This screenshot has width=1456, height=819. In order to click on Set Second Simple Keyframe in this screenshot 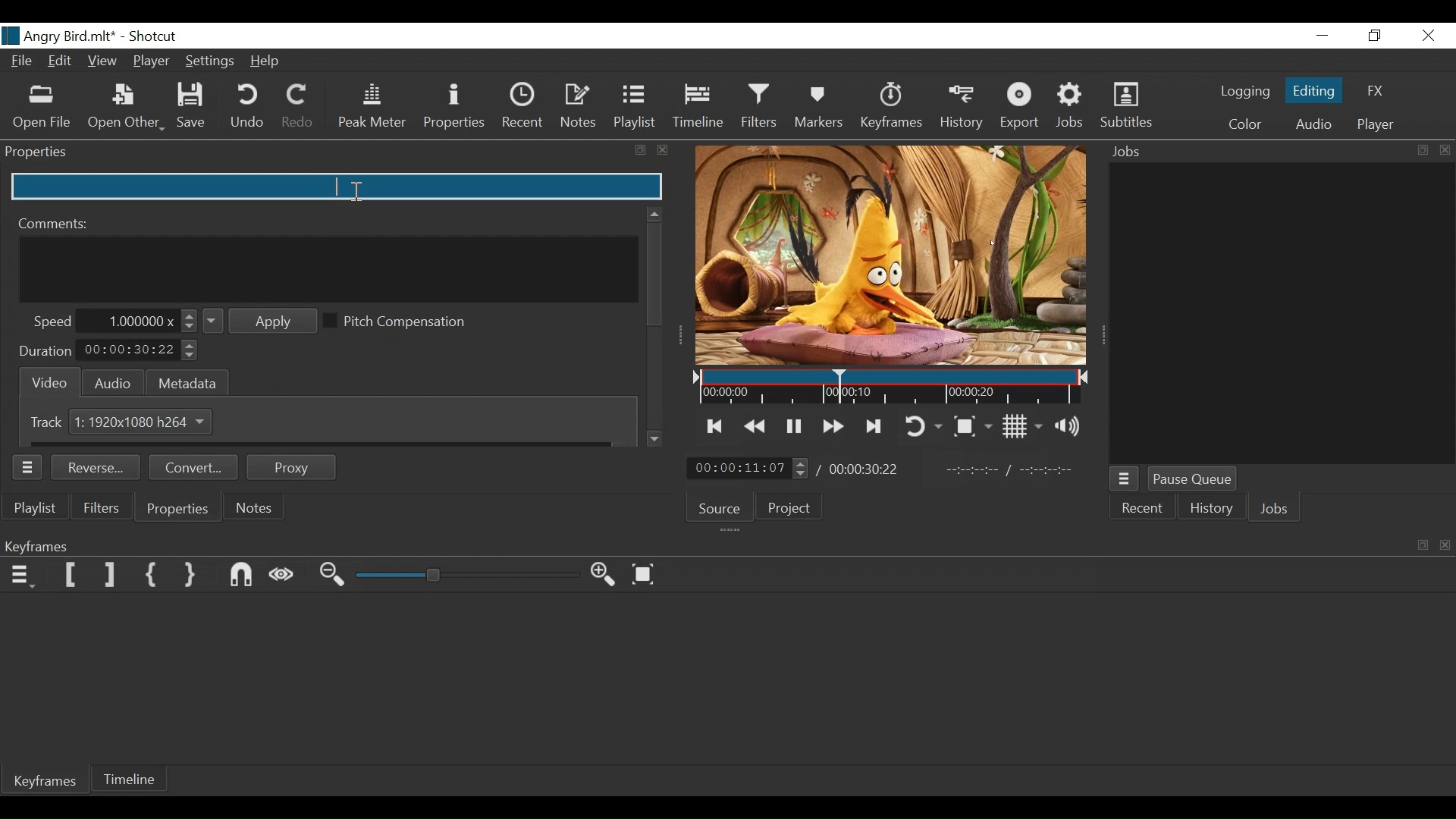, I will do `click(193, 576)`.